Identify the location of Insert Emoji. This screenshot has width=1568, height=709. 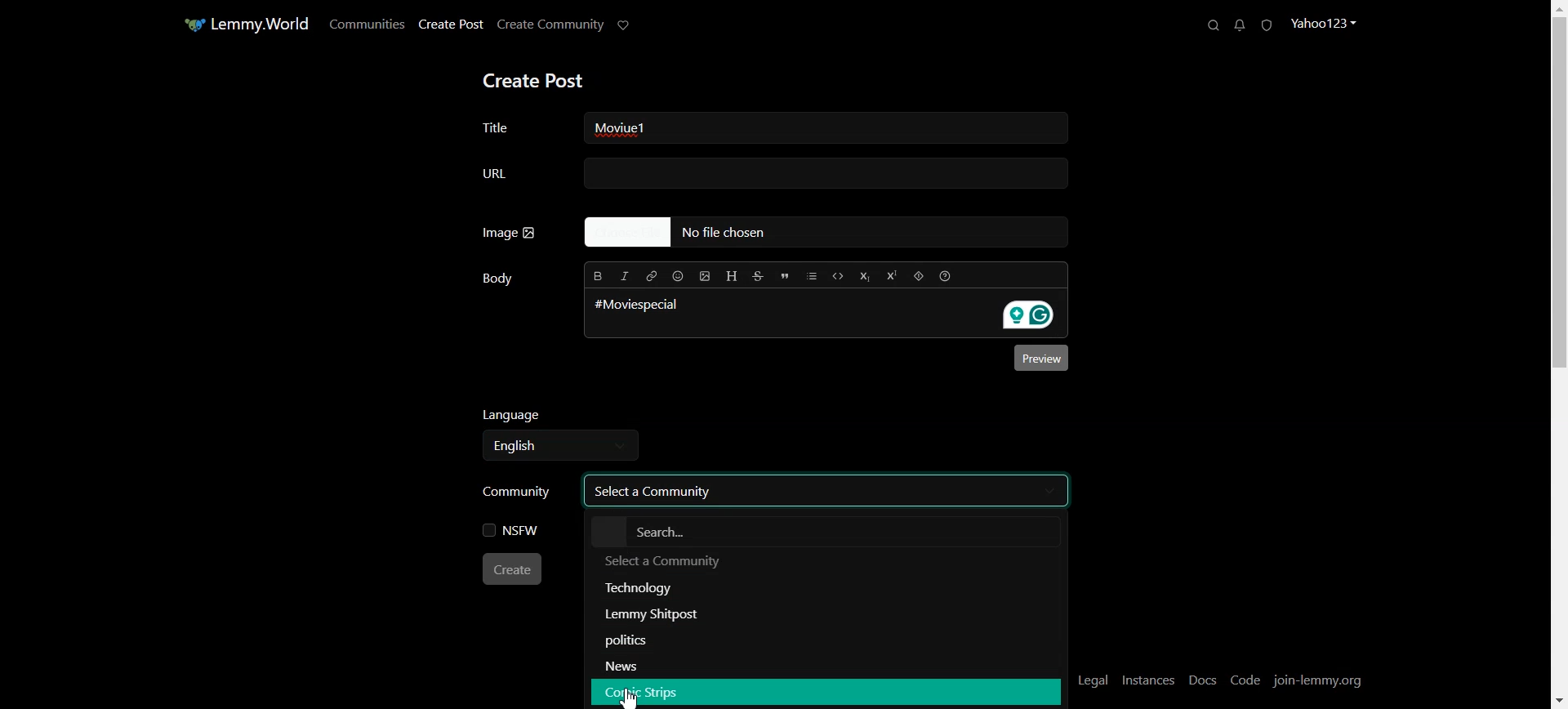
(679, 276).